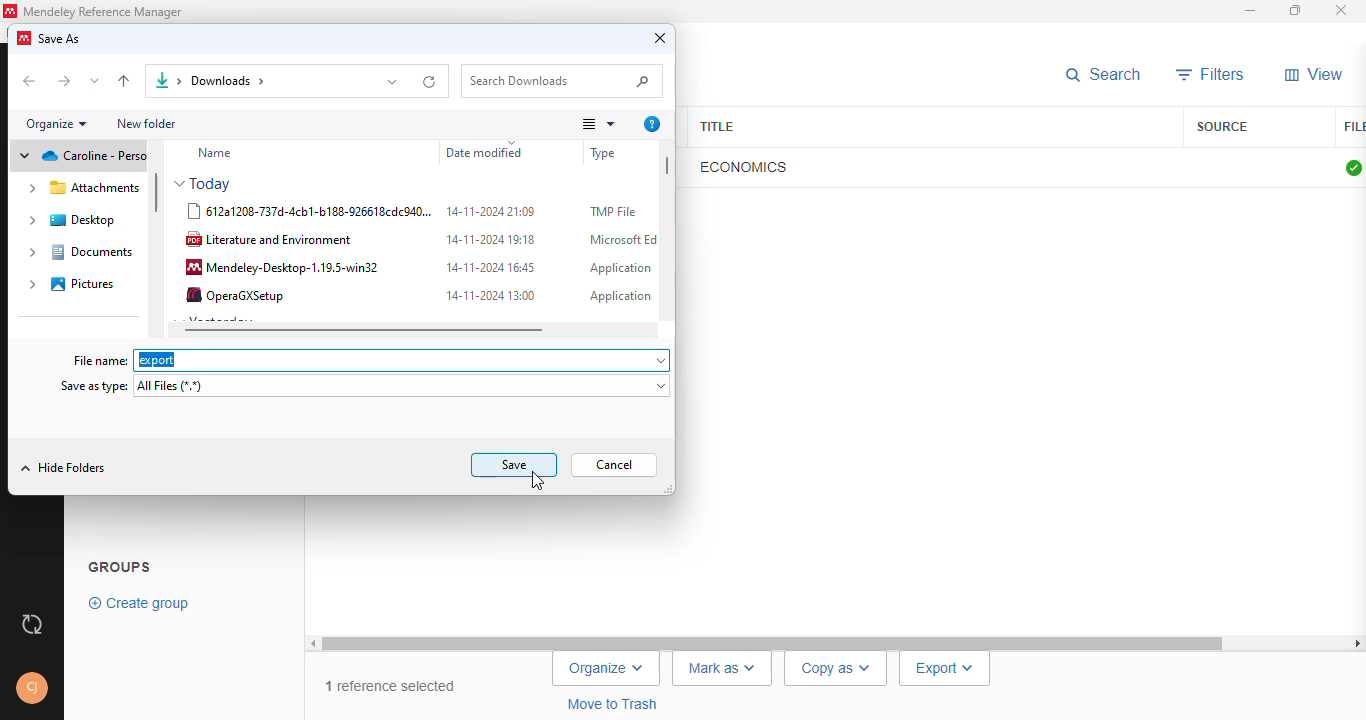 The height and width of the screenshot is (720, 1366). I want to click on horizontal scroll bar, so click(365, 330).